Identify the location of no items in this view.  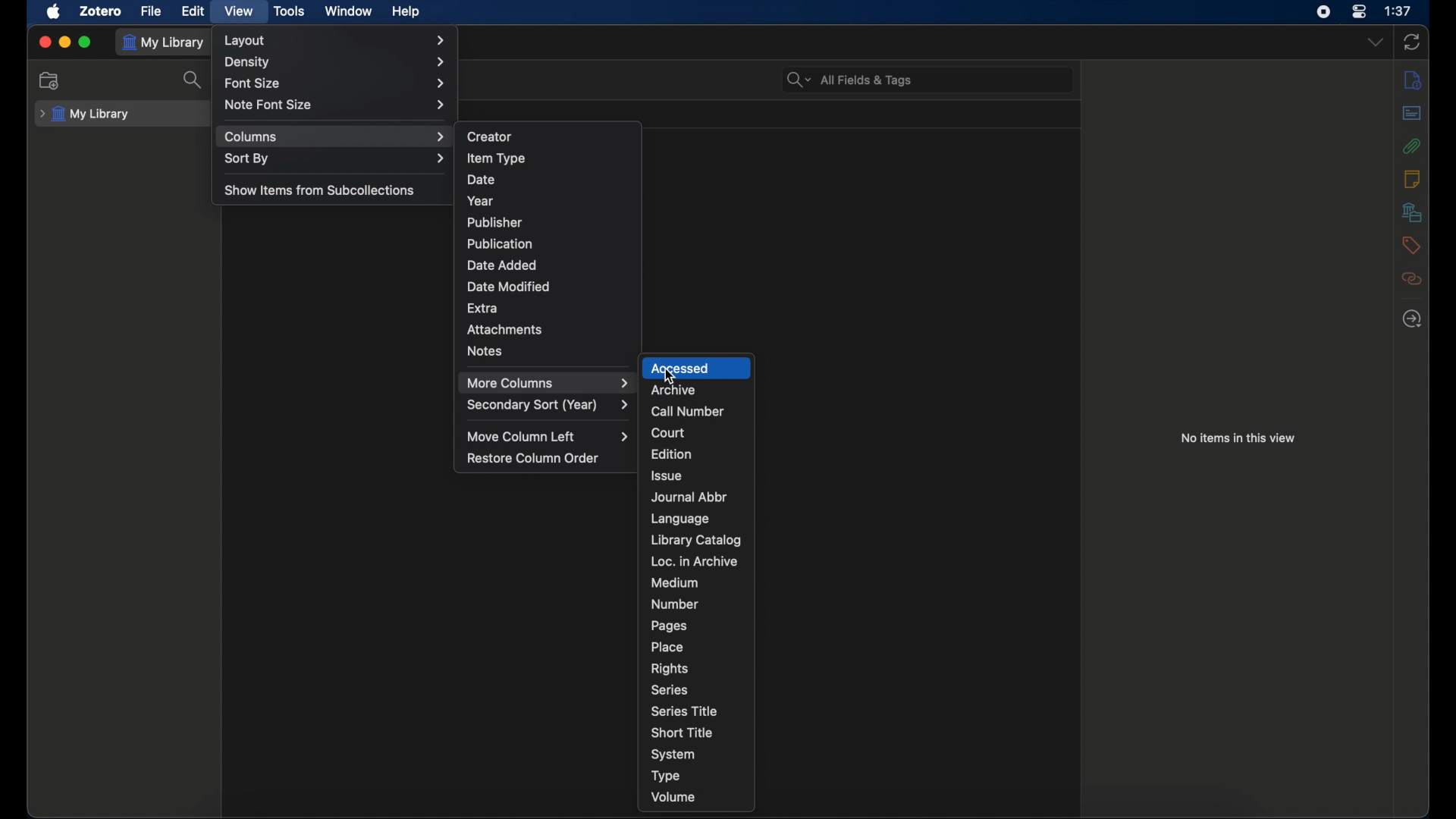
(1238, 438).